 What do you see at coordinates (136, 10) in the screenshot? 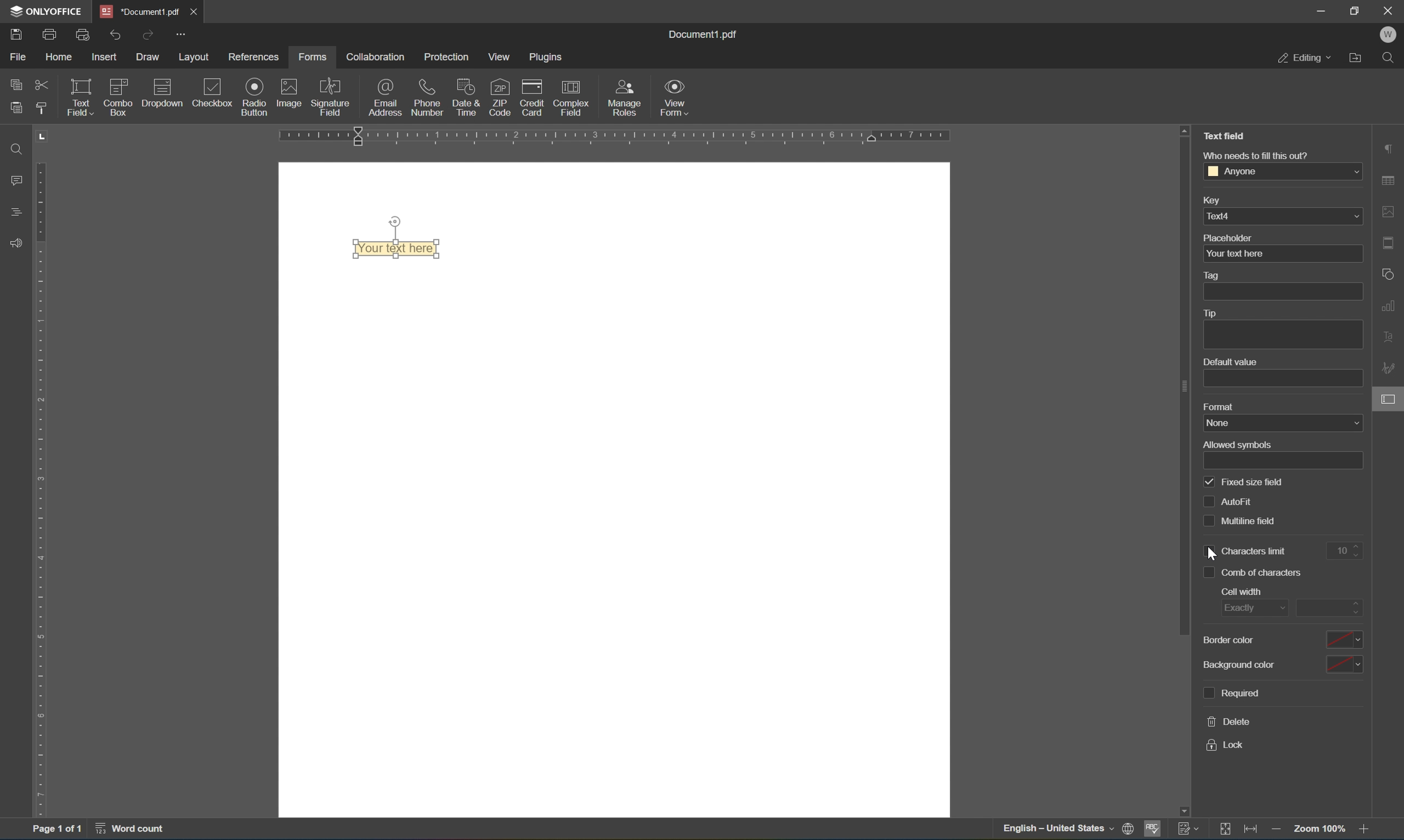
I see `document1.pdf` at bounding box center [136, 10].